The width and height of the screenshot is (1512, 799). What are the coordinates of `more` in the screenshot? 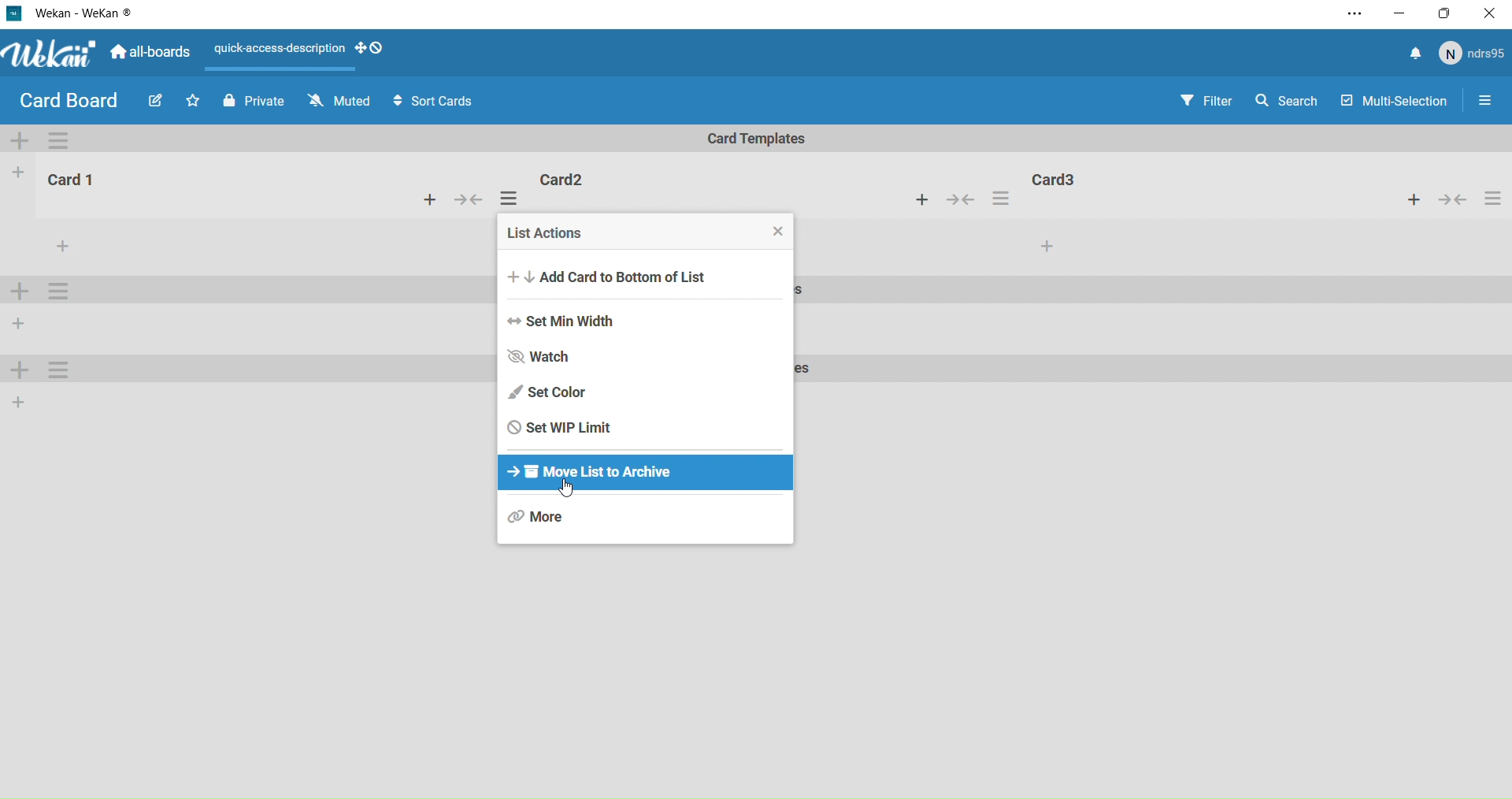 It's located at (58, 243).